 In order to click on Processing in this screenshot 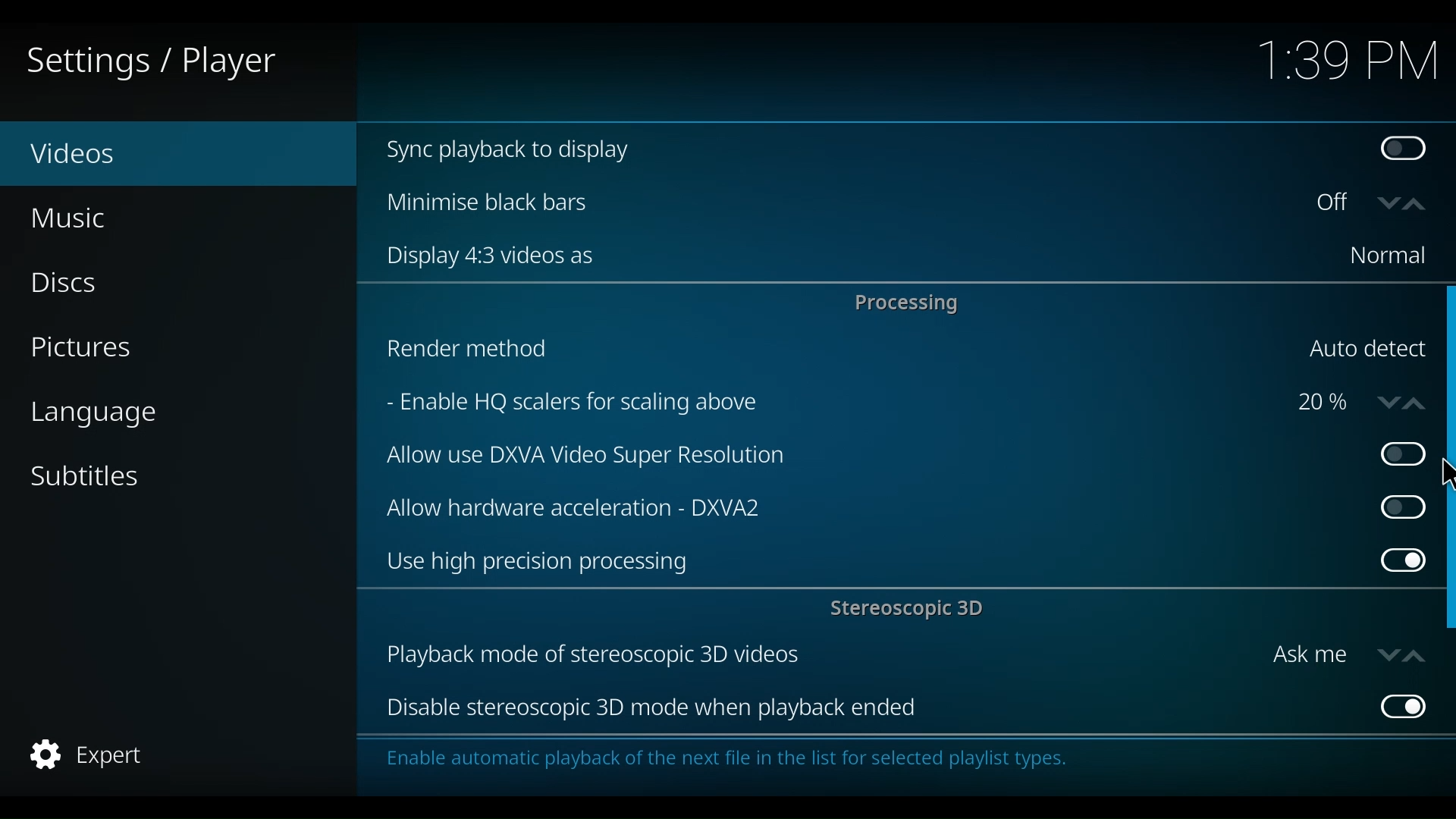, I will do `click(911, 303)`.